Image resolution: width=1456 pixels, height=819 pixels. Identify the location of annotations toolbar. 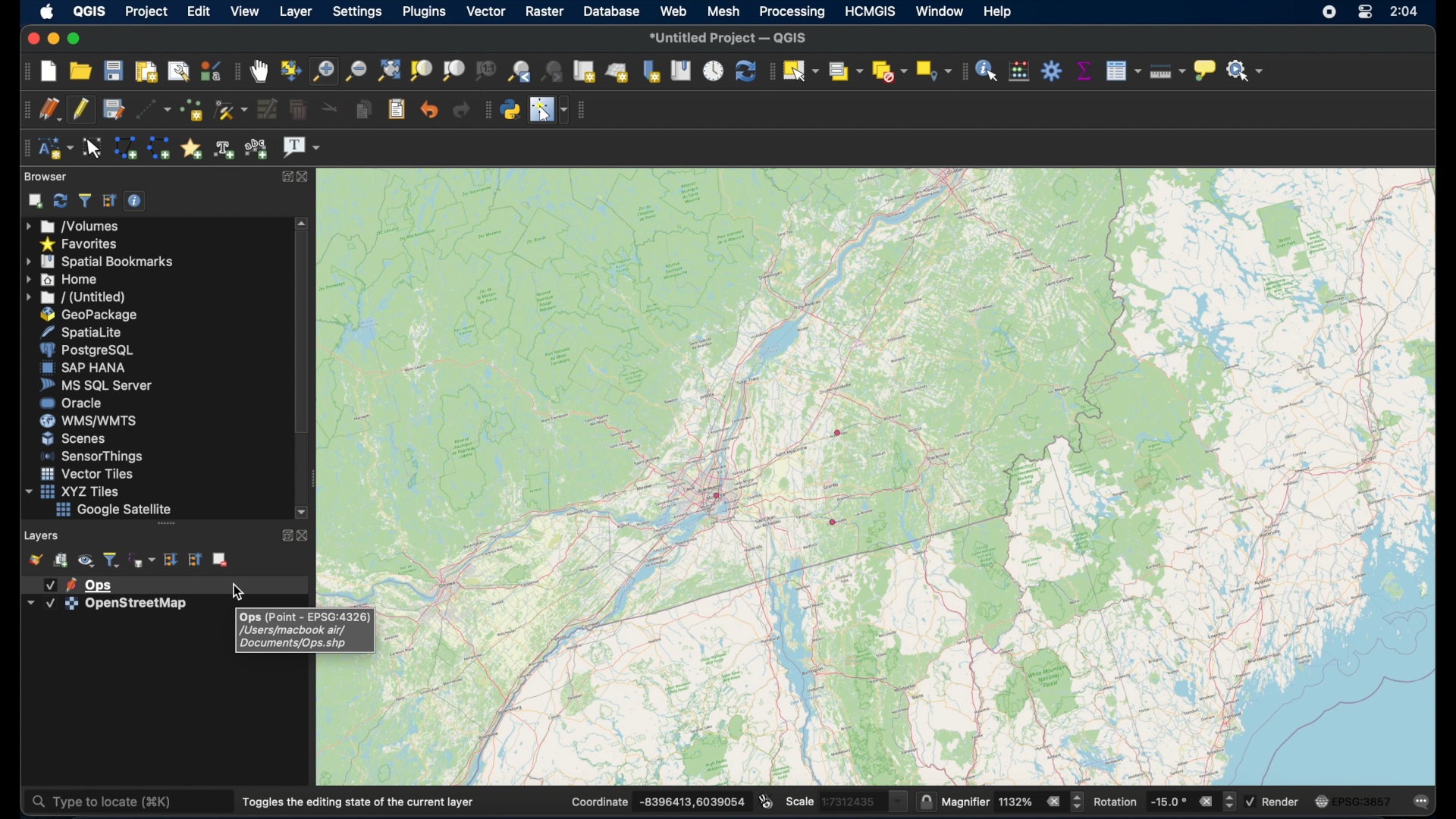
(25, 148).